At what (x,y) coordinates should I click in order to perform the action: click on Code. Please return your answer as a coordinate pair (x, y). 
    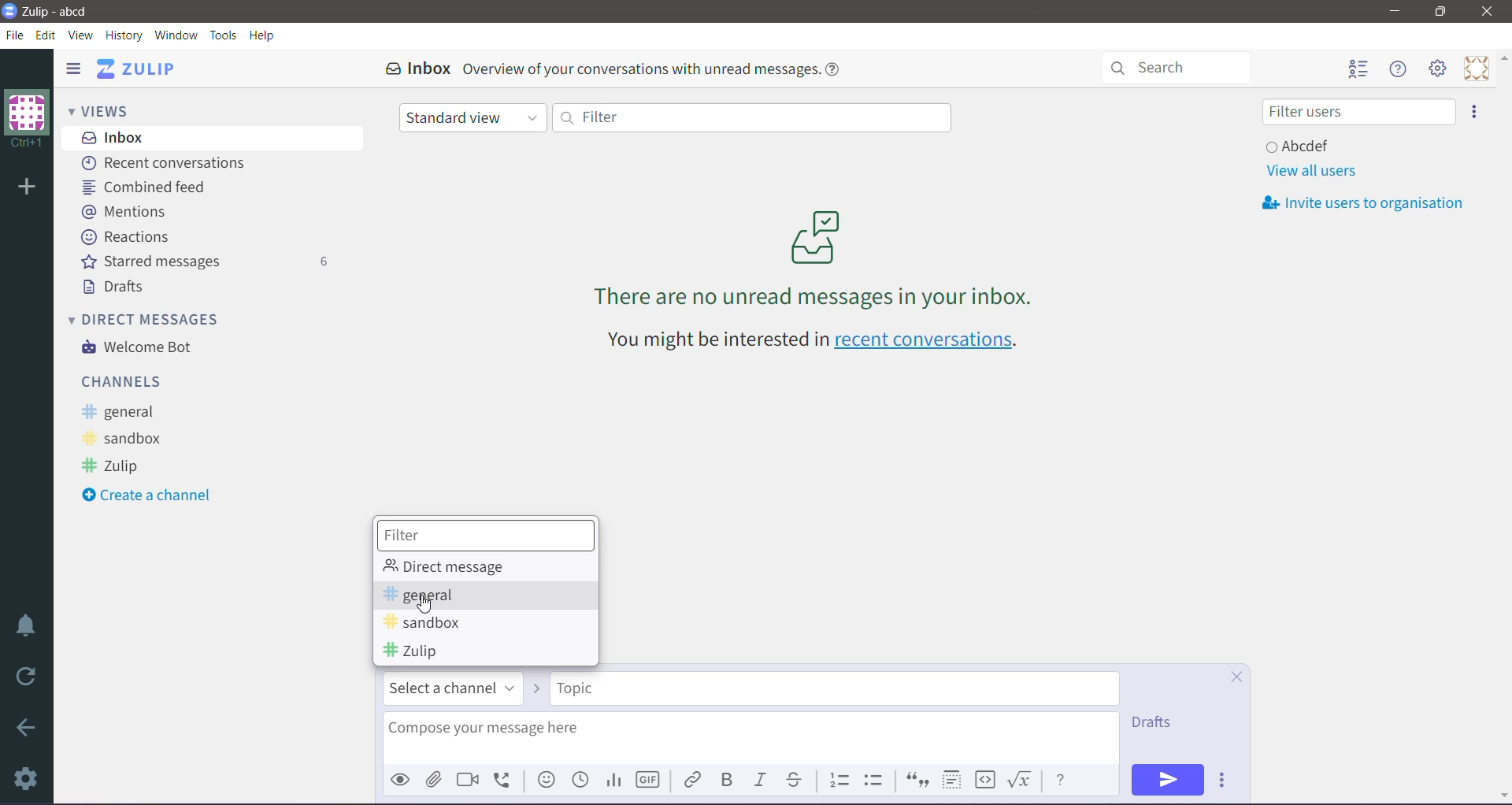
    Looking at the image, I should click on (985, 781).